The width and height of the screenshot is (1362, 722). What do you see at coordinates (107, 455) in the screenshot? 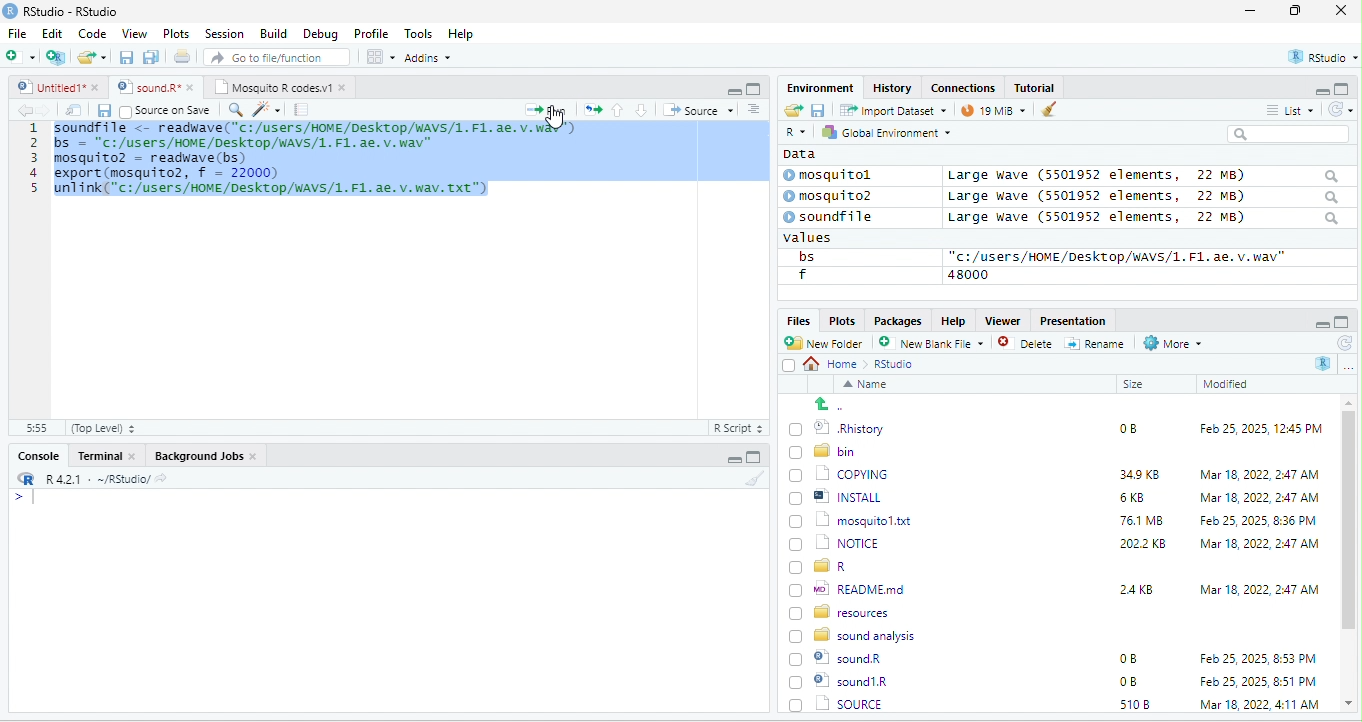
I see `Terminal` at bounding box center [107, 455].